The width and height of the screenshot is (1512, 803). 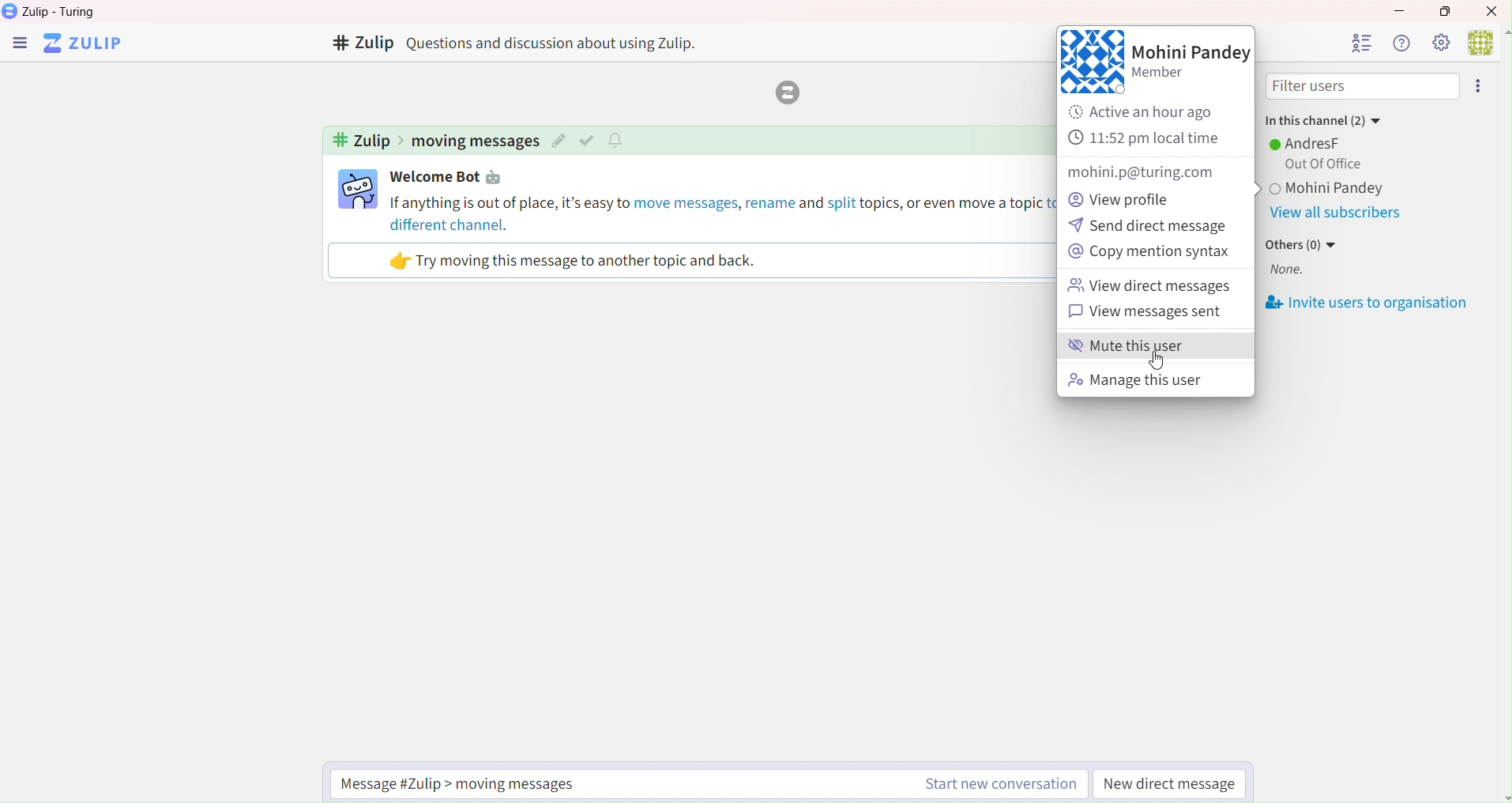 What do you see at coordinates (619, 139) in the screenshot?
I see `notify` at bounding box center [619, 139].